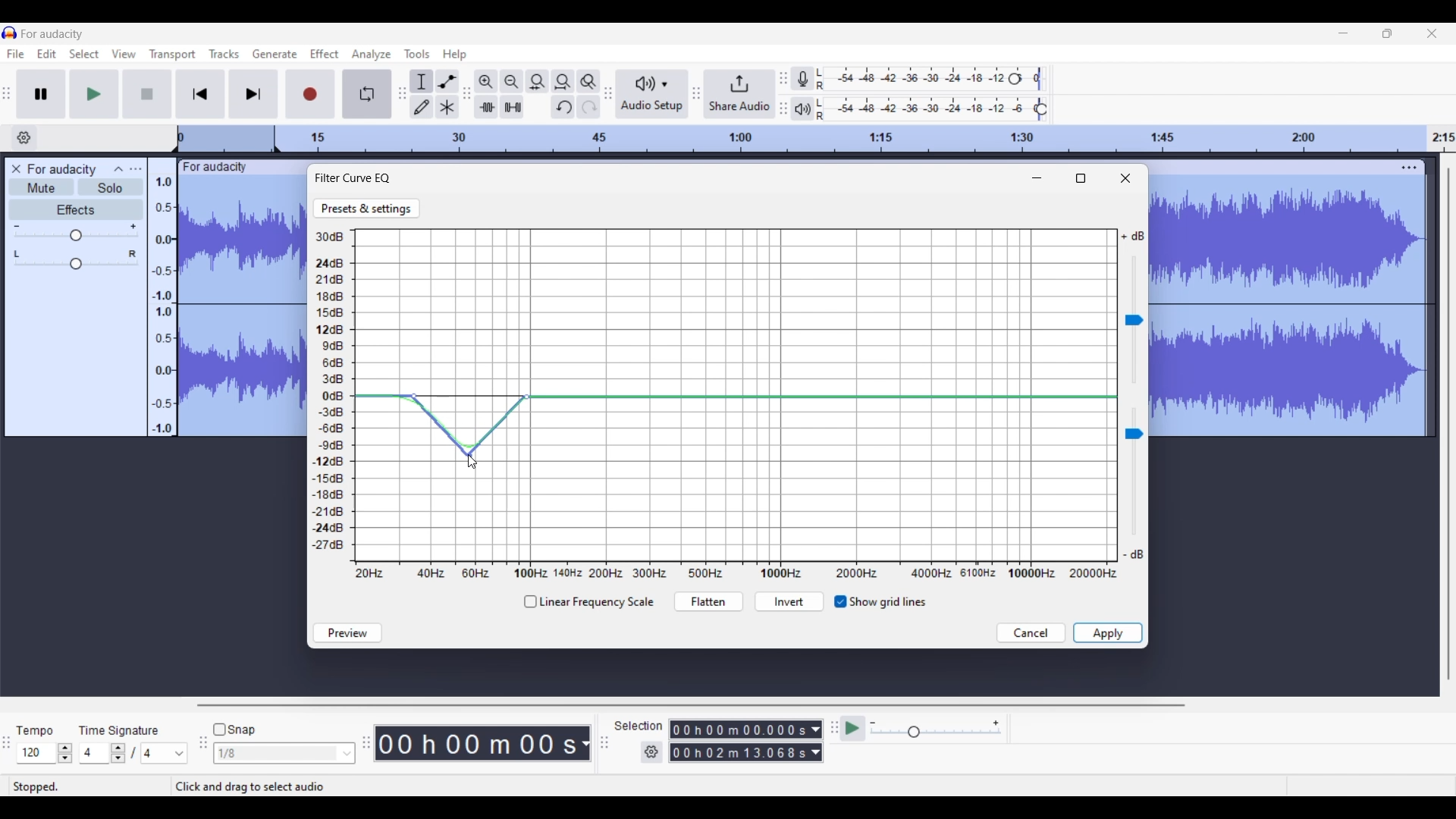 The width and height of the screenshot is (1456, 819). What do you see at coordinates (84, 55) in the screenshot?
I see `Select menu` at bounding box center [84, 55].